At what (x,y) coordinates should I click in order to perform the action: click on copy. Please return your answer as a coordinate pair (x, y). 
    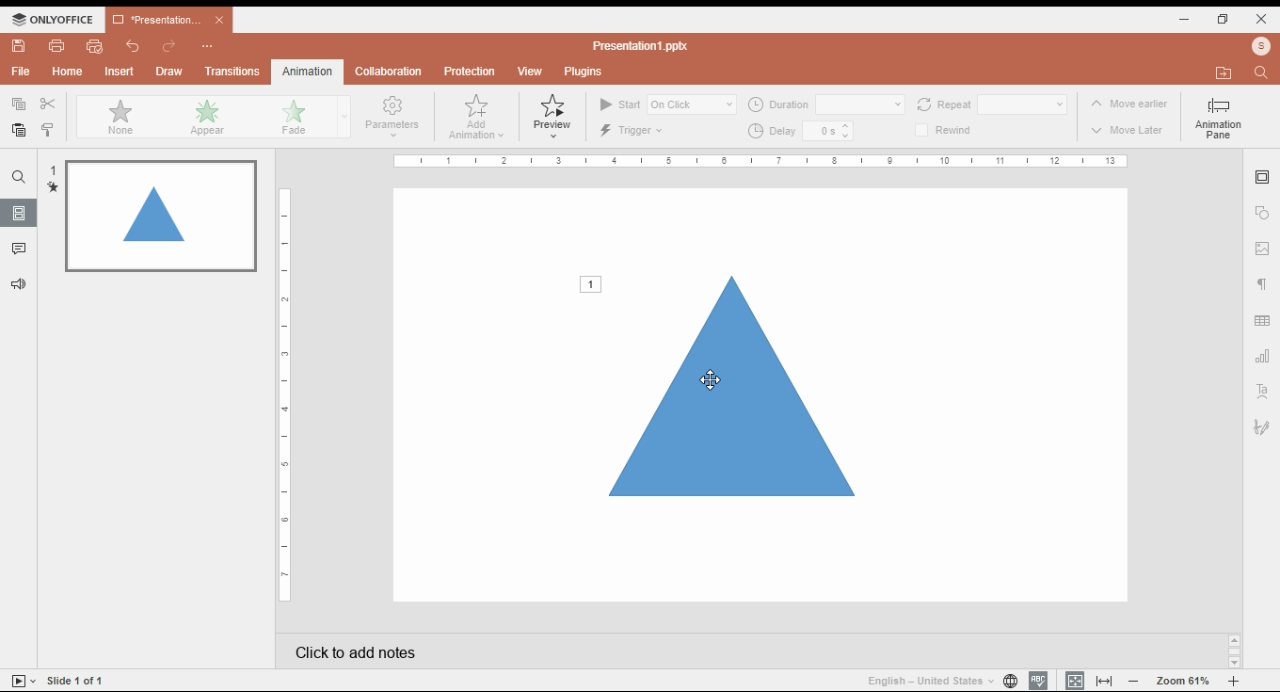
    Looking at the image, I should click on (19, 104).